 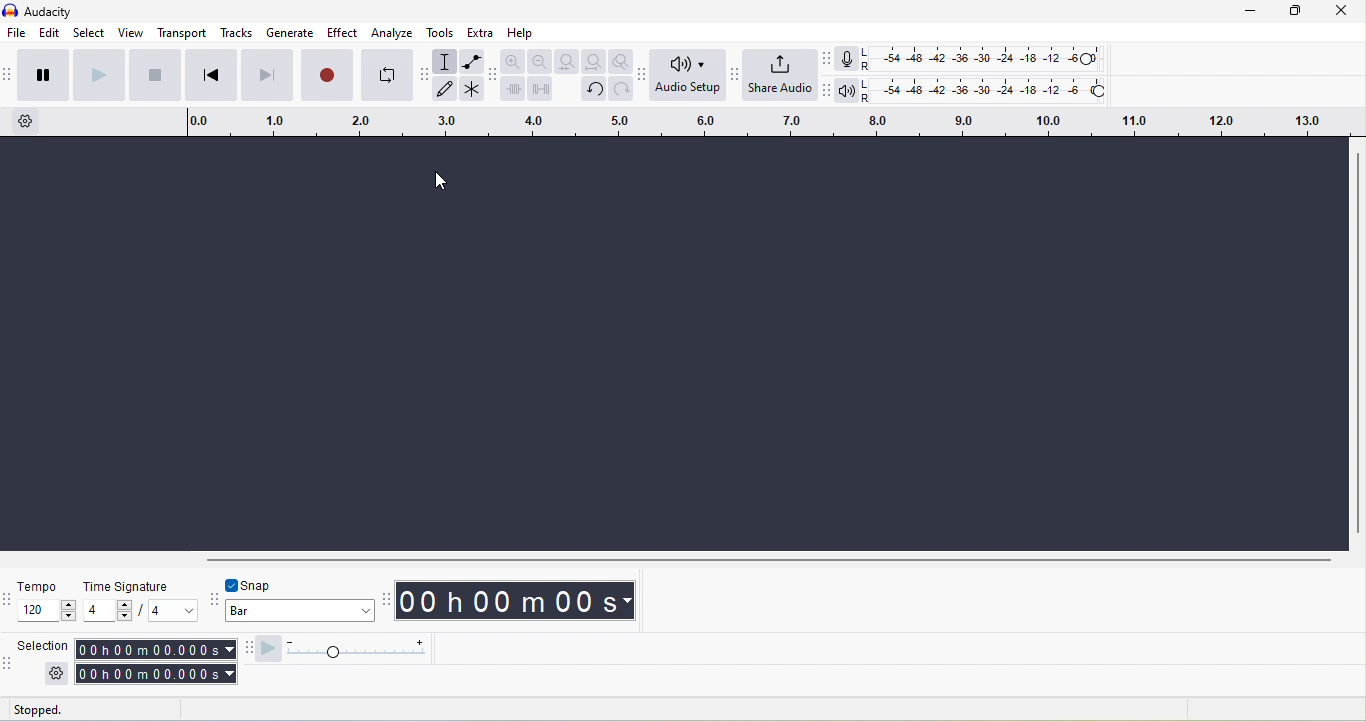 I want to click on tools, so click(x=437, y=33).